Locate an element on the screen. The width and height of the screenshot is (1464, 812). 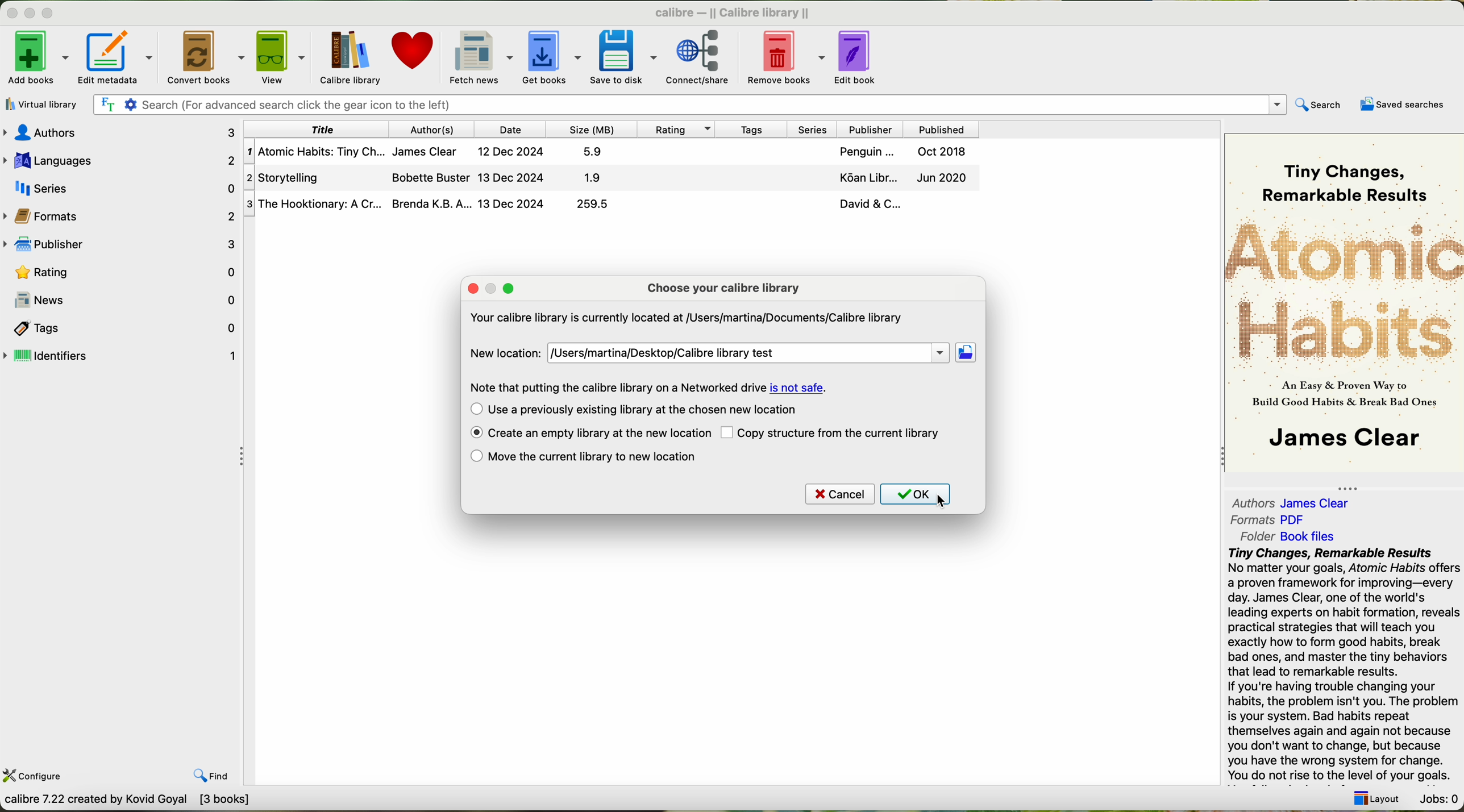
maximize program is located at coordinates (55, 14).